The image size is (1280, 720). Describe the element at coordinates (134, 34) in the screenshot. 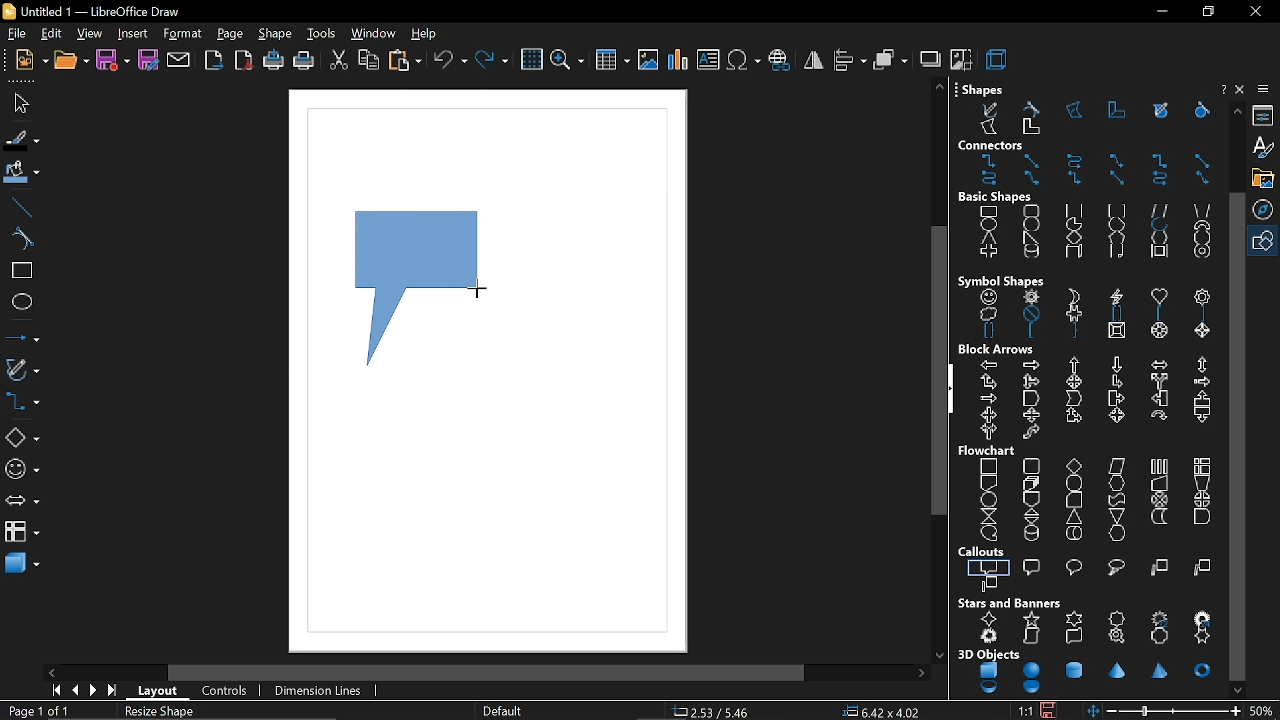

I see `insert` at that location.